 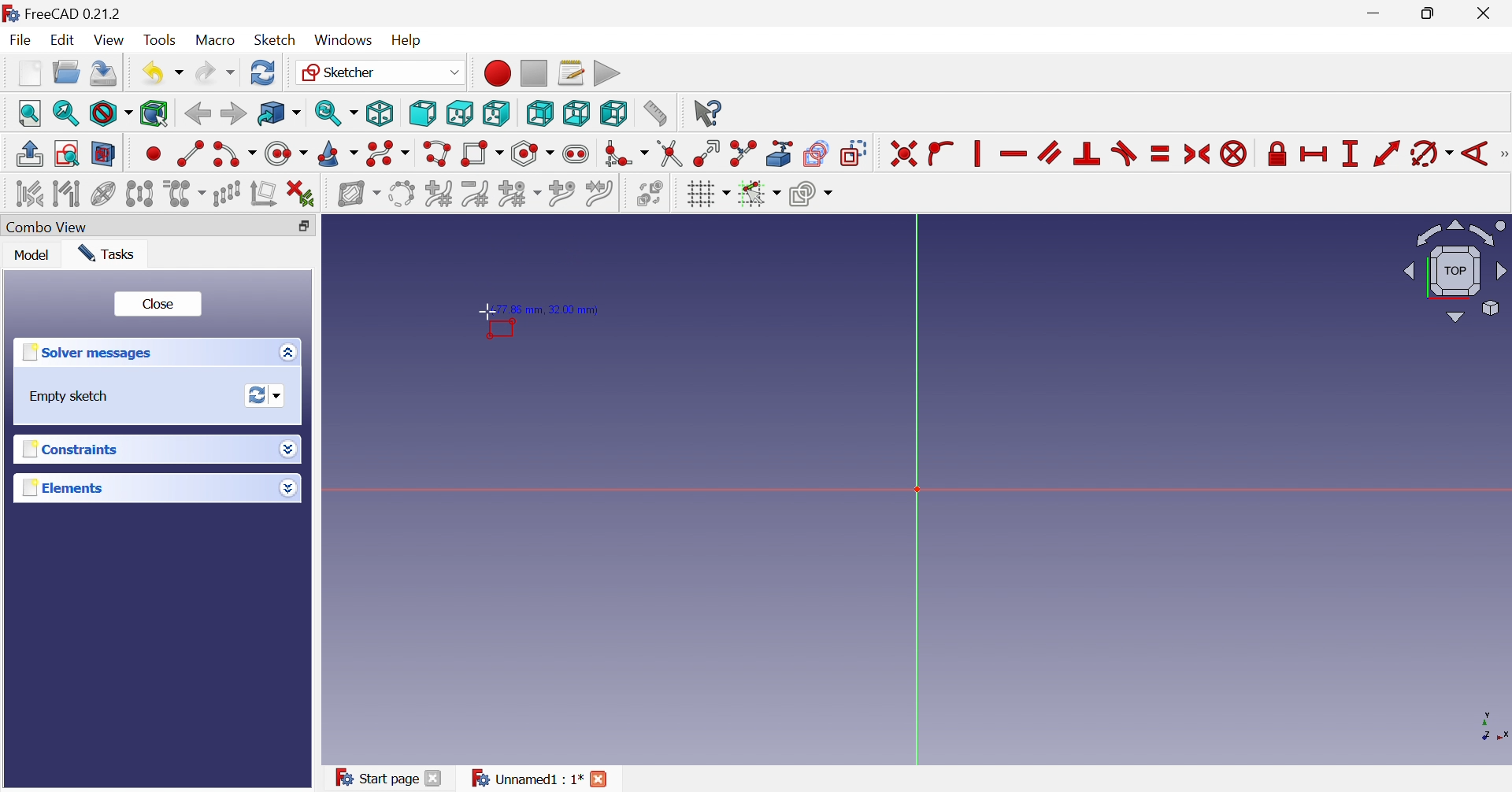 What do you see at coordinates (265, 396) in the screenshot?
I see `Forces recomputation of active document` at bounding box center [265, 396].